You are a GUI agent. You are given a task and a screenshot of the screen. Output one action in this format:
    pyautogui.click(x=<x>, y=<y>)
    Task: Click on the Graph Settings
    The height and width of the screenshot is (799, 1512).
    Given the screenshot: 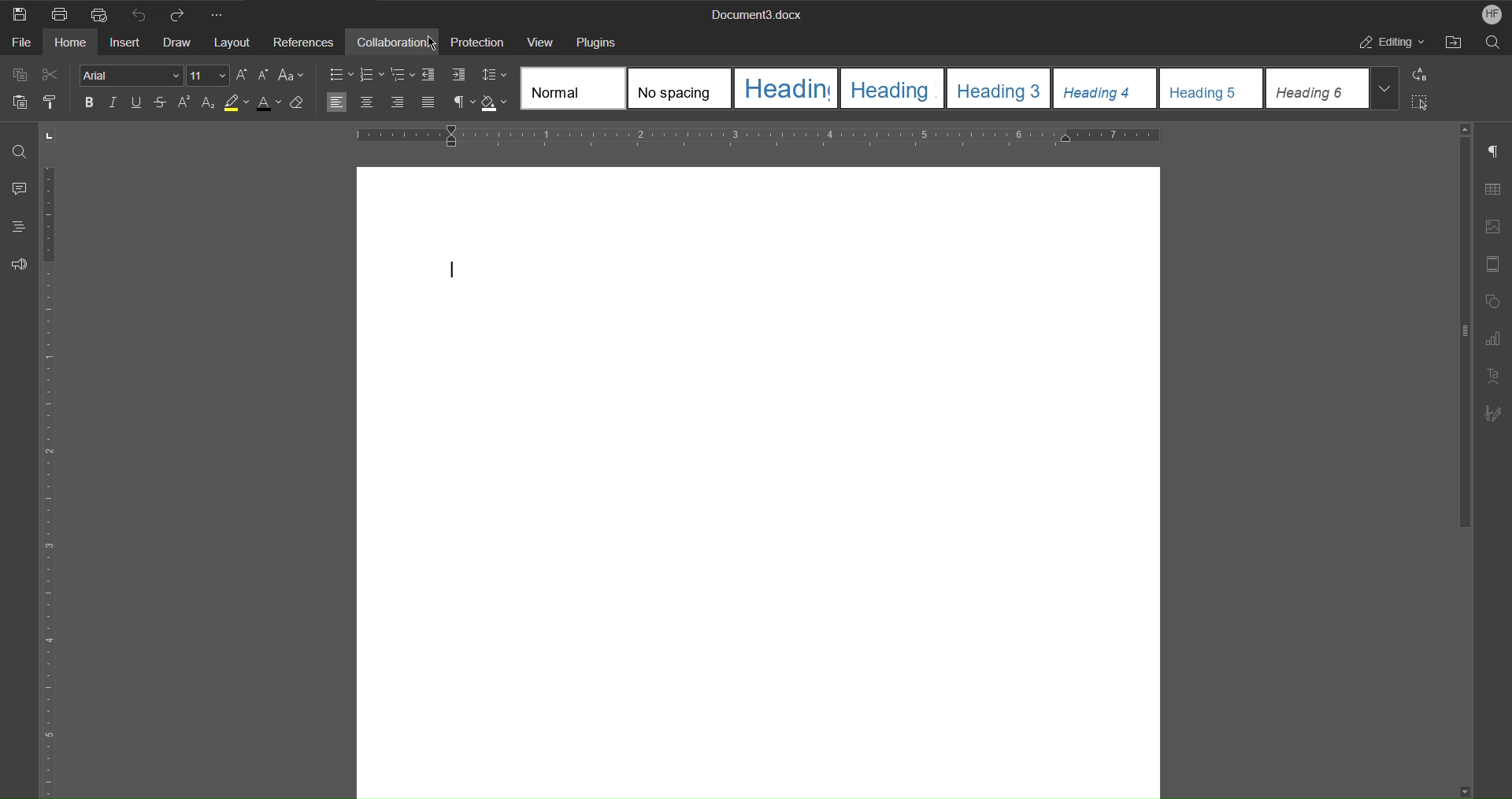 What is the action you would take?
    pyautogui.click(x=1493, y=341)
    